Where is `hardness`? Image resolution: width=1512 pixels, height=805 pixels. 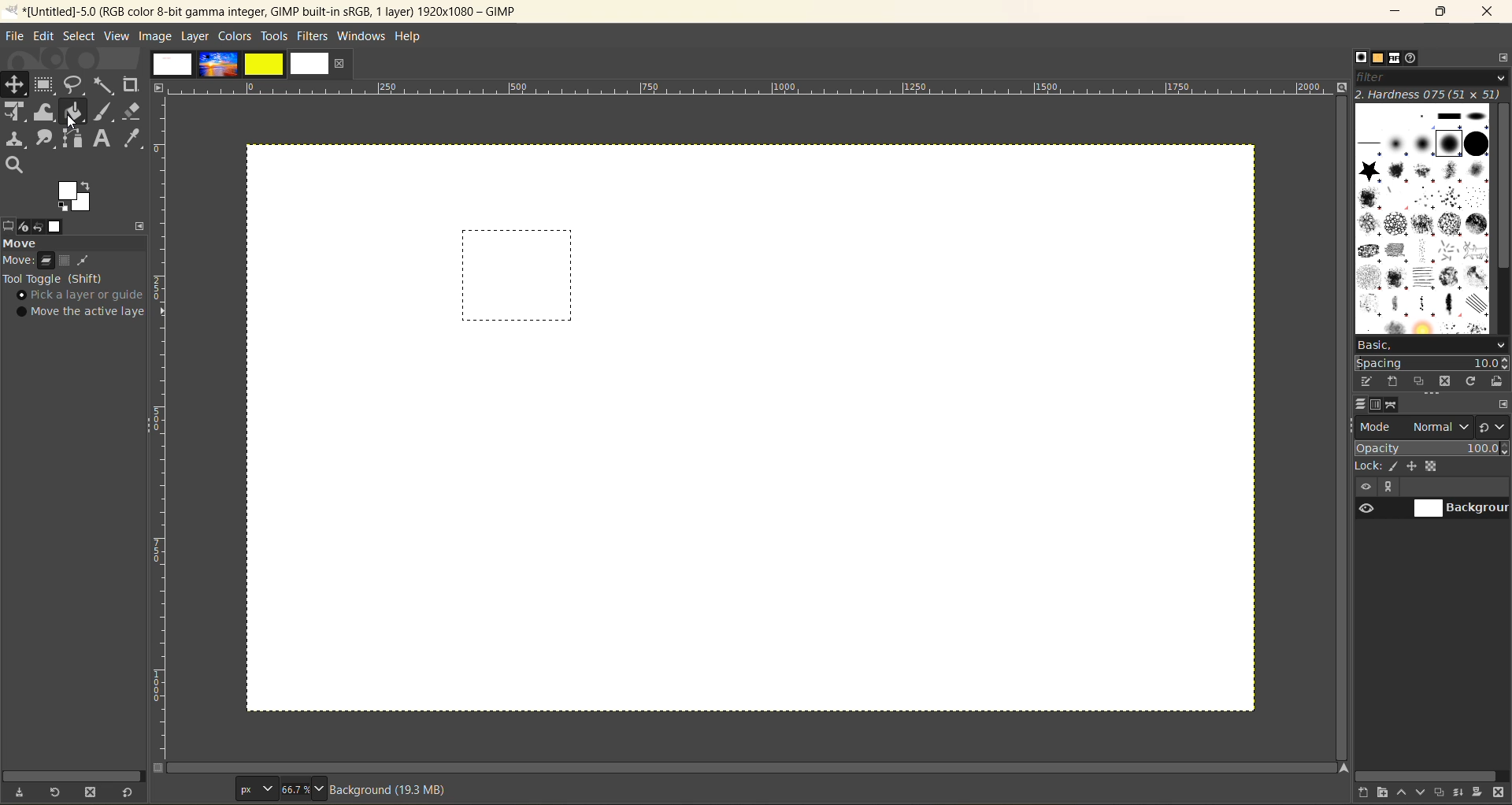 hardness is located at coordinates (1426, 93).